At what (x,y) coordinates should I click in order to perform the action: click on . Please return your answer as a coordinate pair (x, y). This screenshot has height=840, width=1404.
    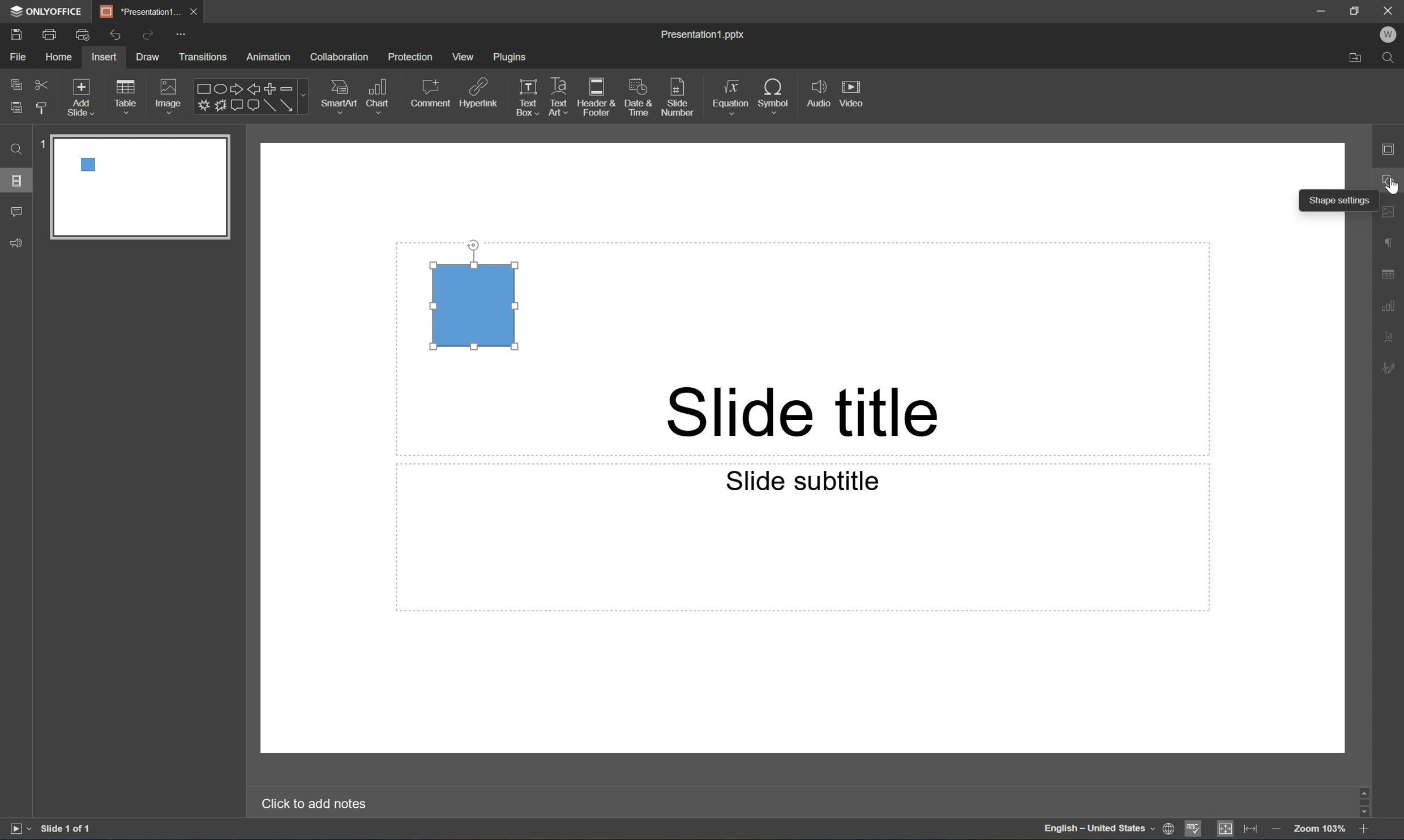
    Looking at the image, I should click on (220, 105).